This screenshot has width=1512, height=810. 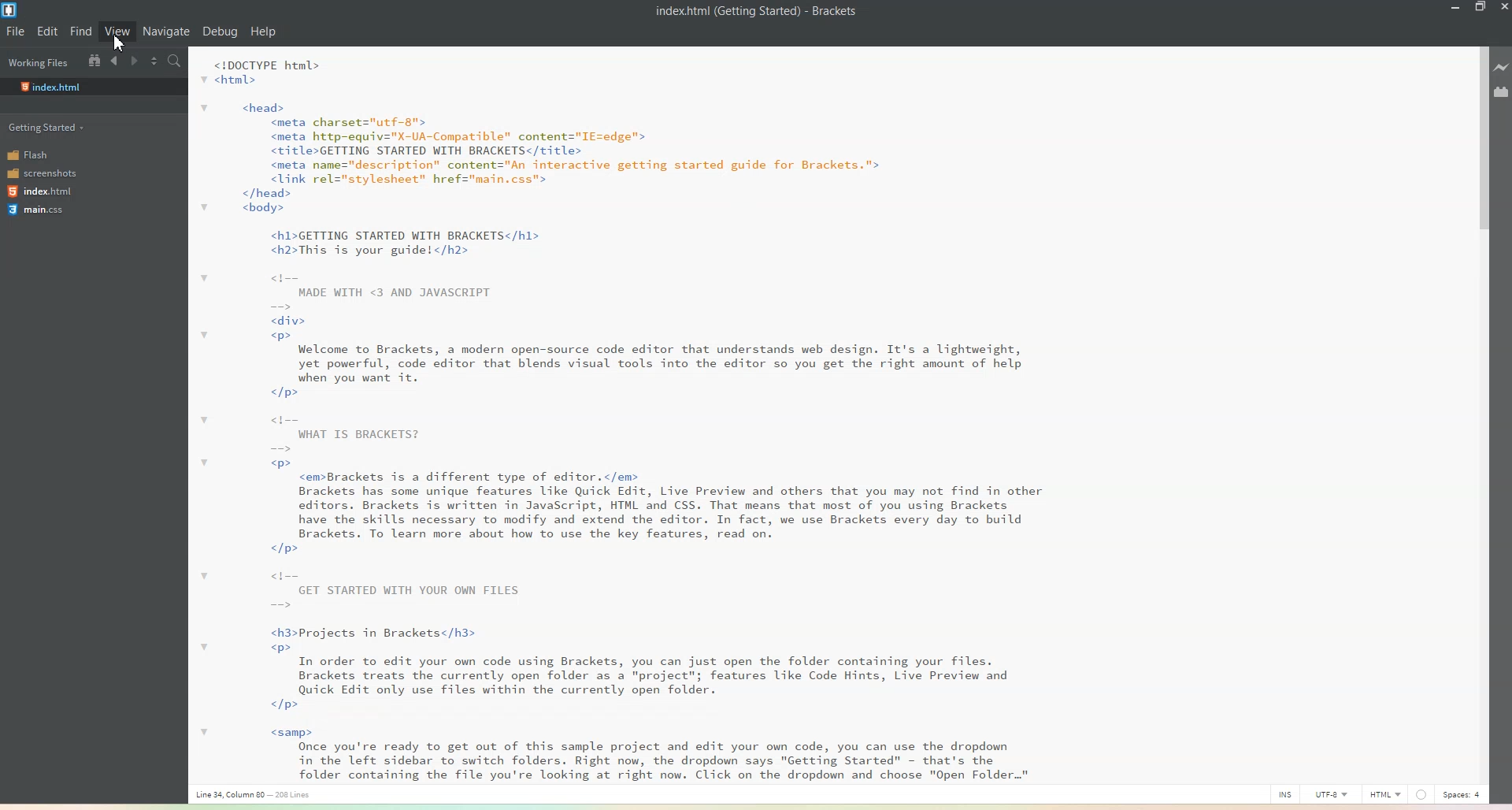 What do you see at coordinates (46, 127) in the screenshot?
I see `Getting started` at bounding box center [46, 127].